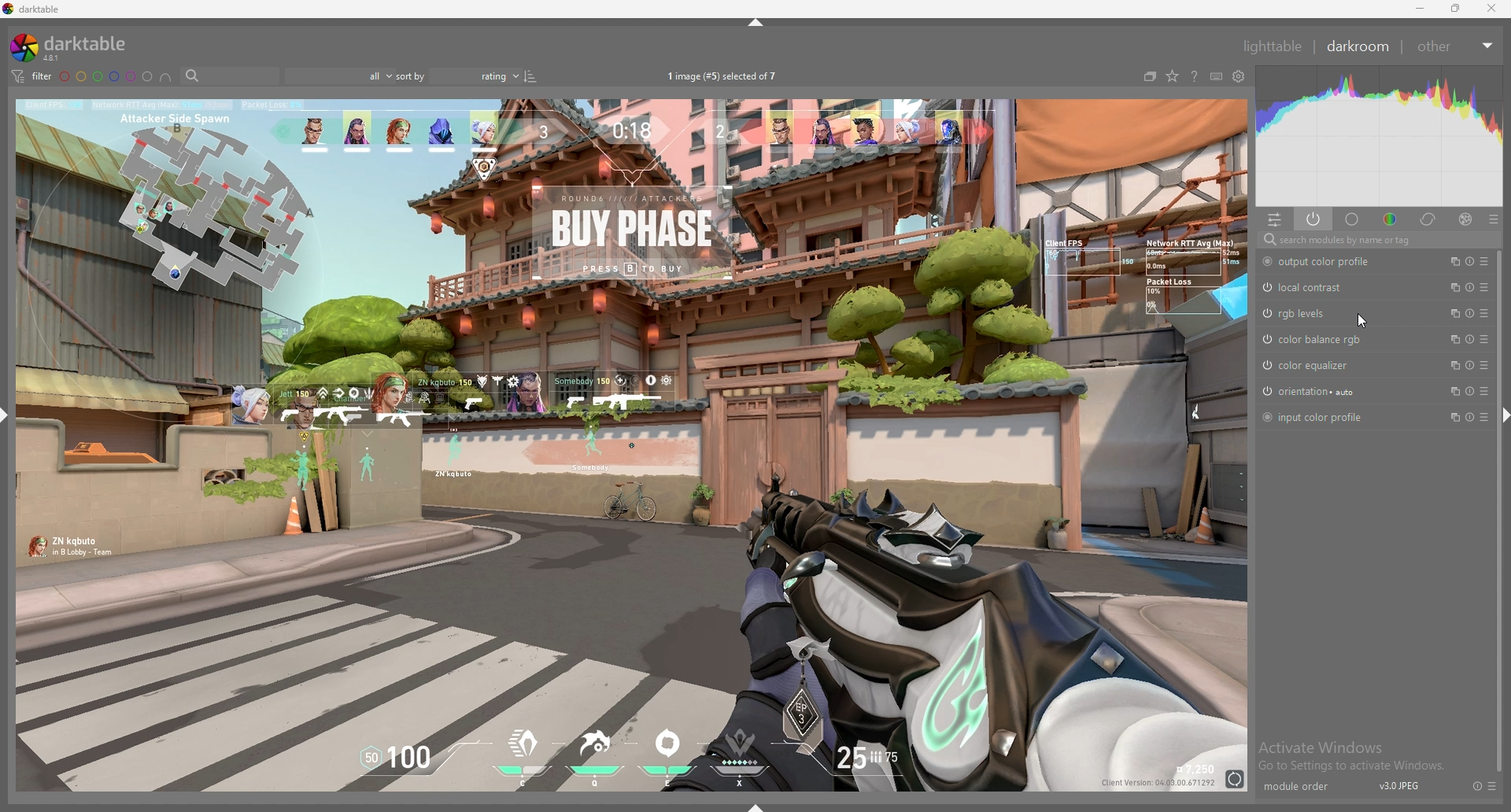 This screenshot has width=1511, height=812. Describe the element at coordinates (1484, 313) in the screenshot. I see `presets` at that location.